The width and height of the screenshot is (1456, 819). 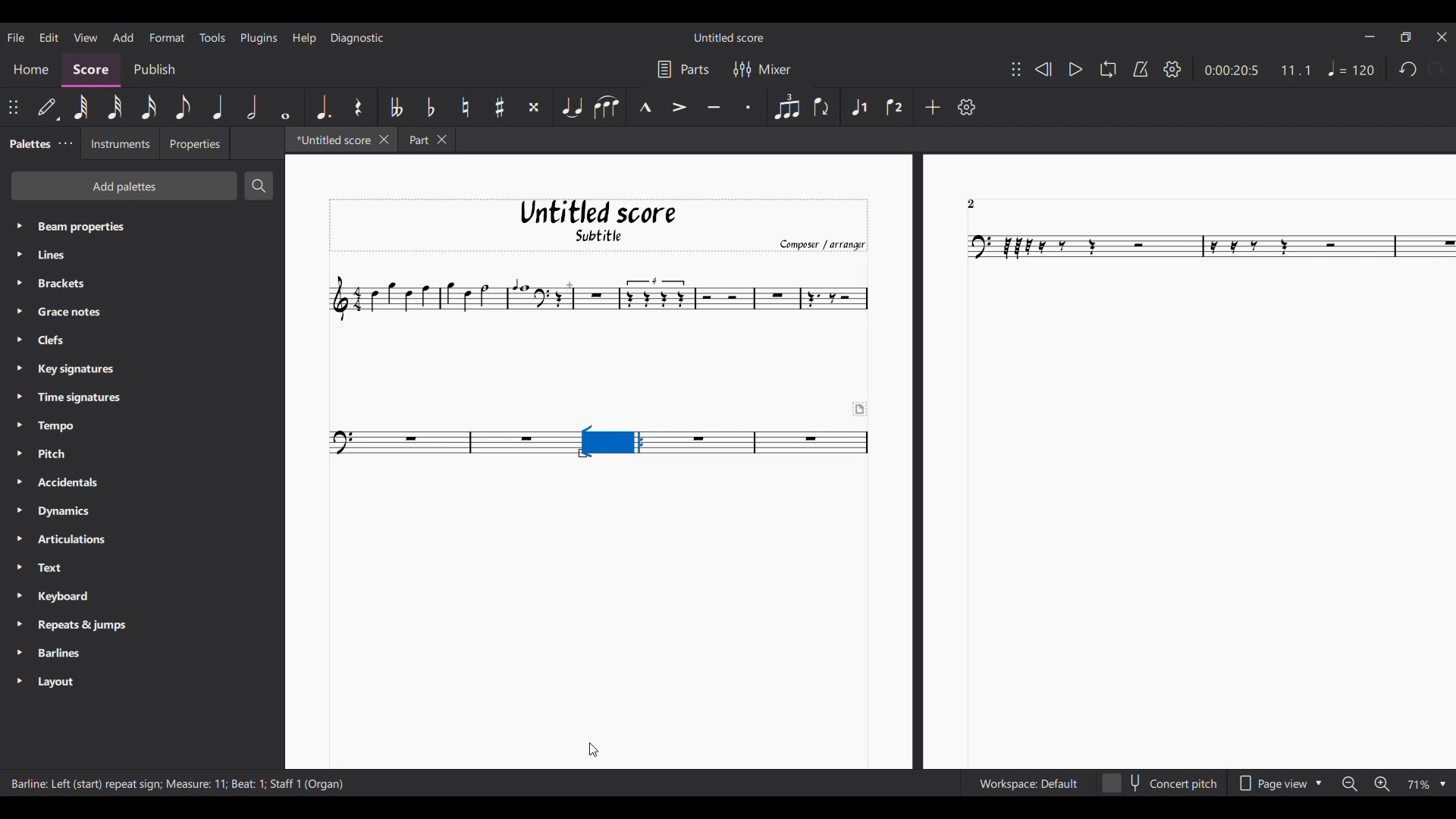 What do you see at coordinates (1280, 784) in the screenshot?
I see `Page view options` at bounding box center [1280, 784].